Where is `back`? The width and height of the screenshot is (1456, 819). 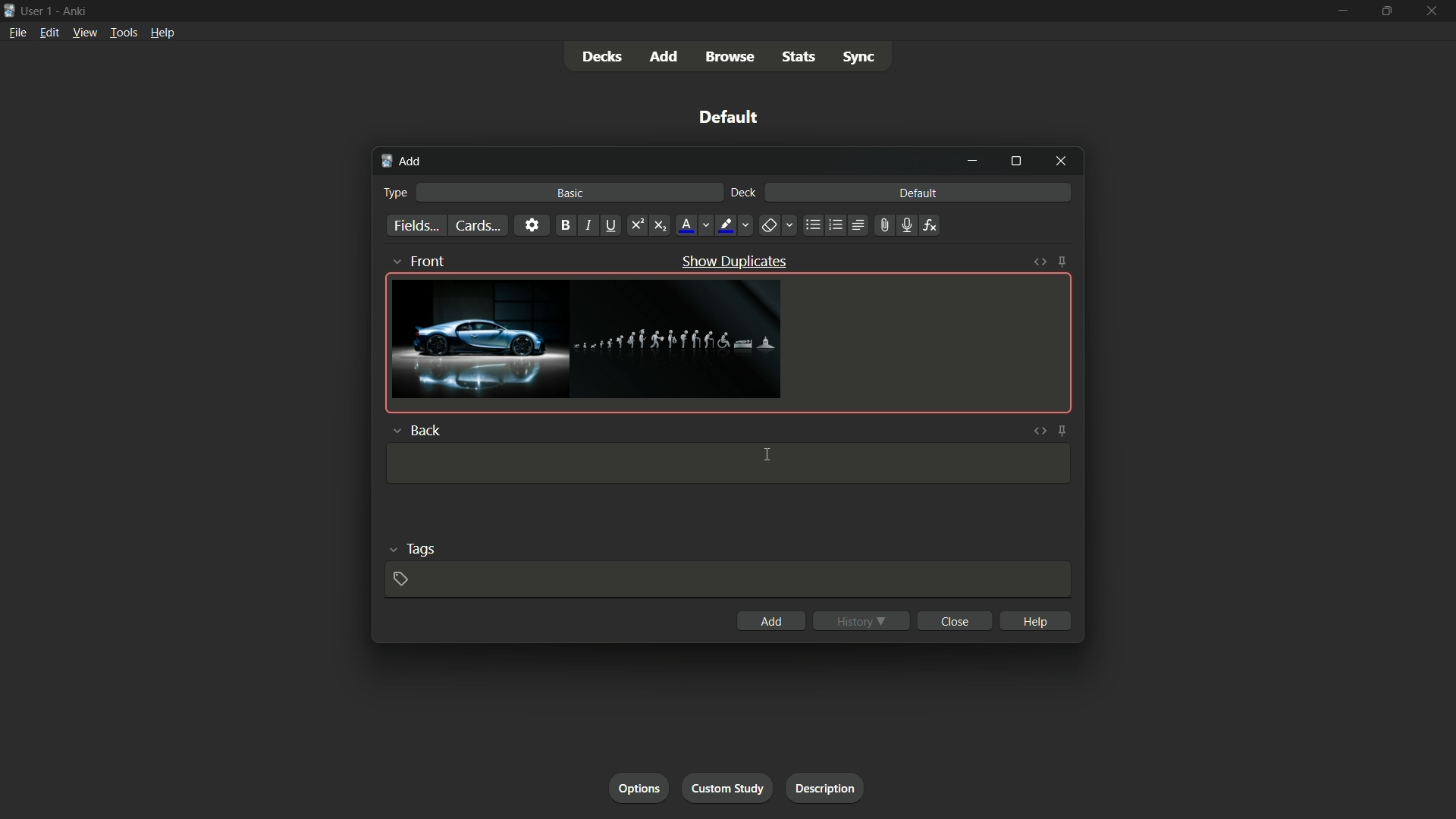 back is located at coordinates (416, 430).